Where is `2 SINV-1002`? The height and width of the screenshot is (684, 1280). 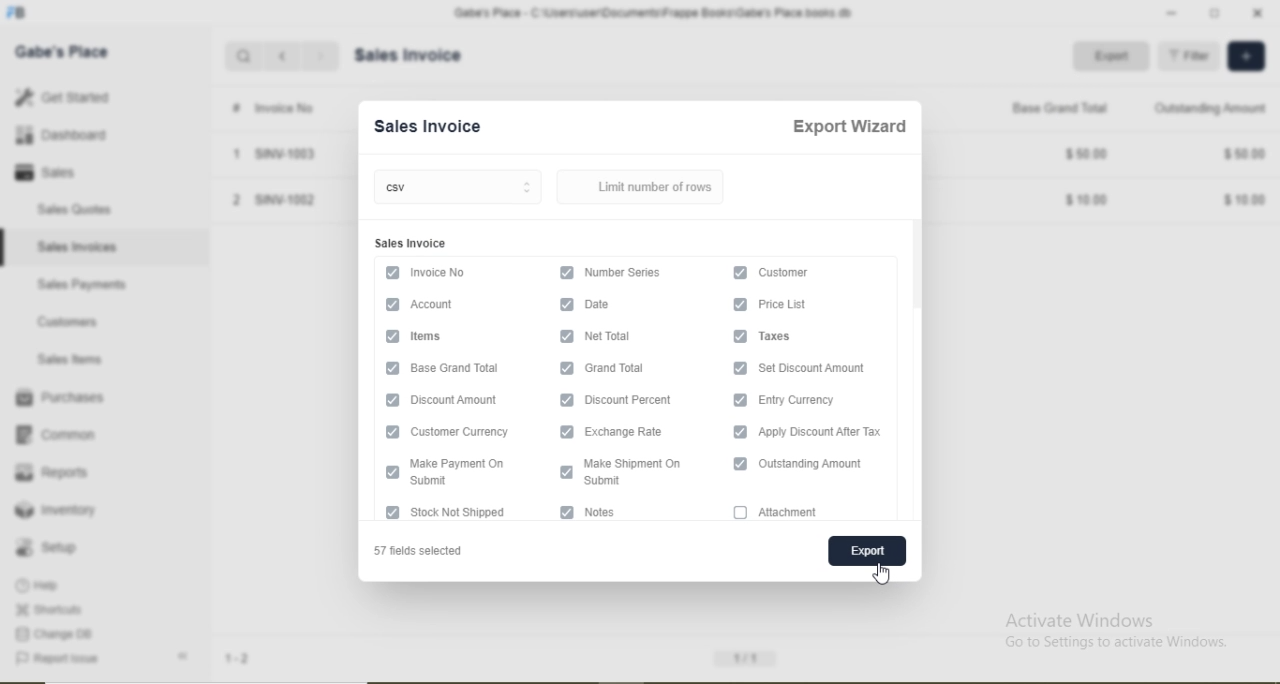 2 SINV-1002 is located at coordinates (273, 199).